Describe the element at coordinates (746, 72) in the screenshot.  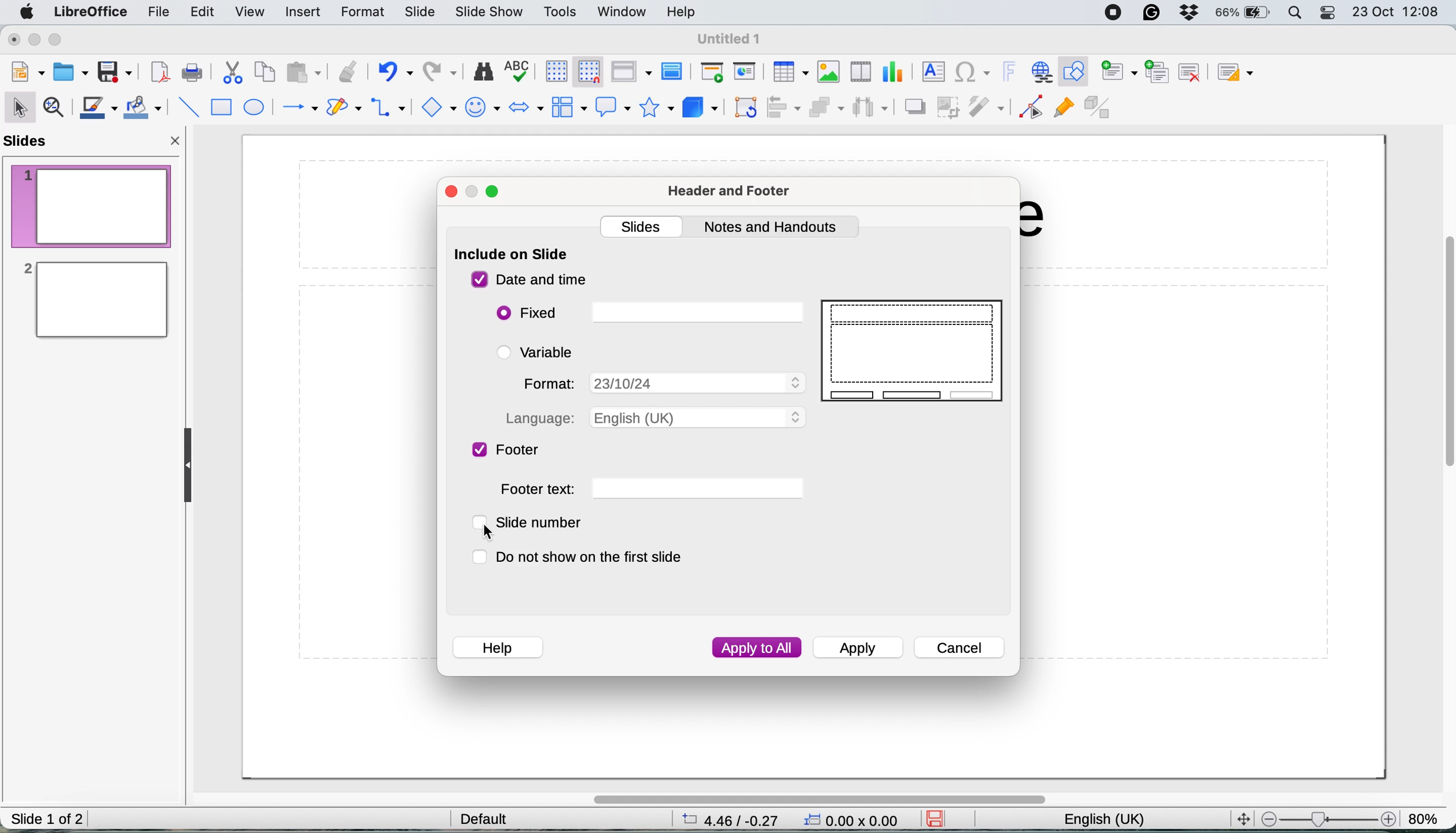
I see `start from current slide` at that location.